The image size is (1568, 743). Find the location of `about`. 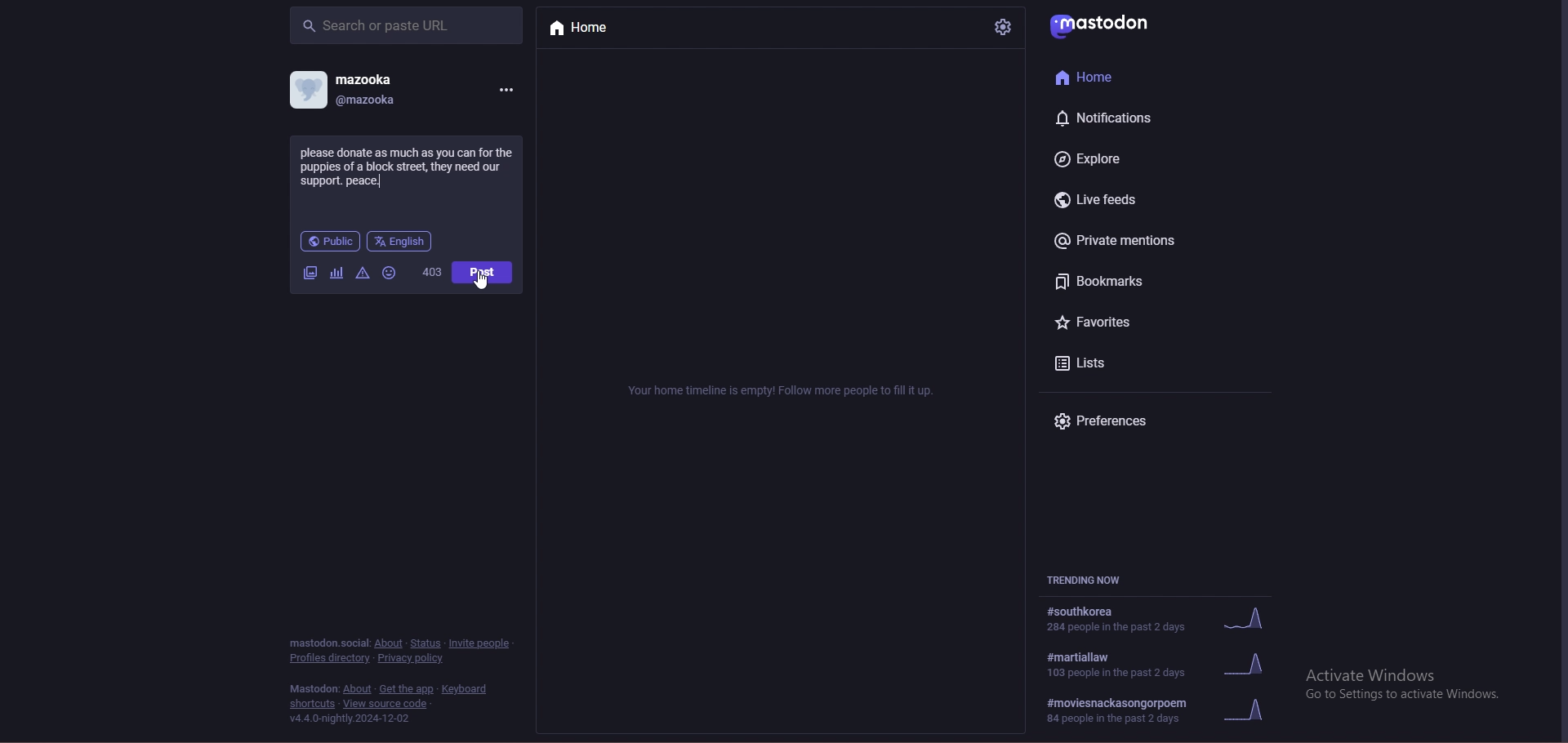

about is located at coordinates (357, 688).